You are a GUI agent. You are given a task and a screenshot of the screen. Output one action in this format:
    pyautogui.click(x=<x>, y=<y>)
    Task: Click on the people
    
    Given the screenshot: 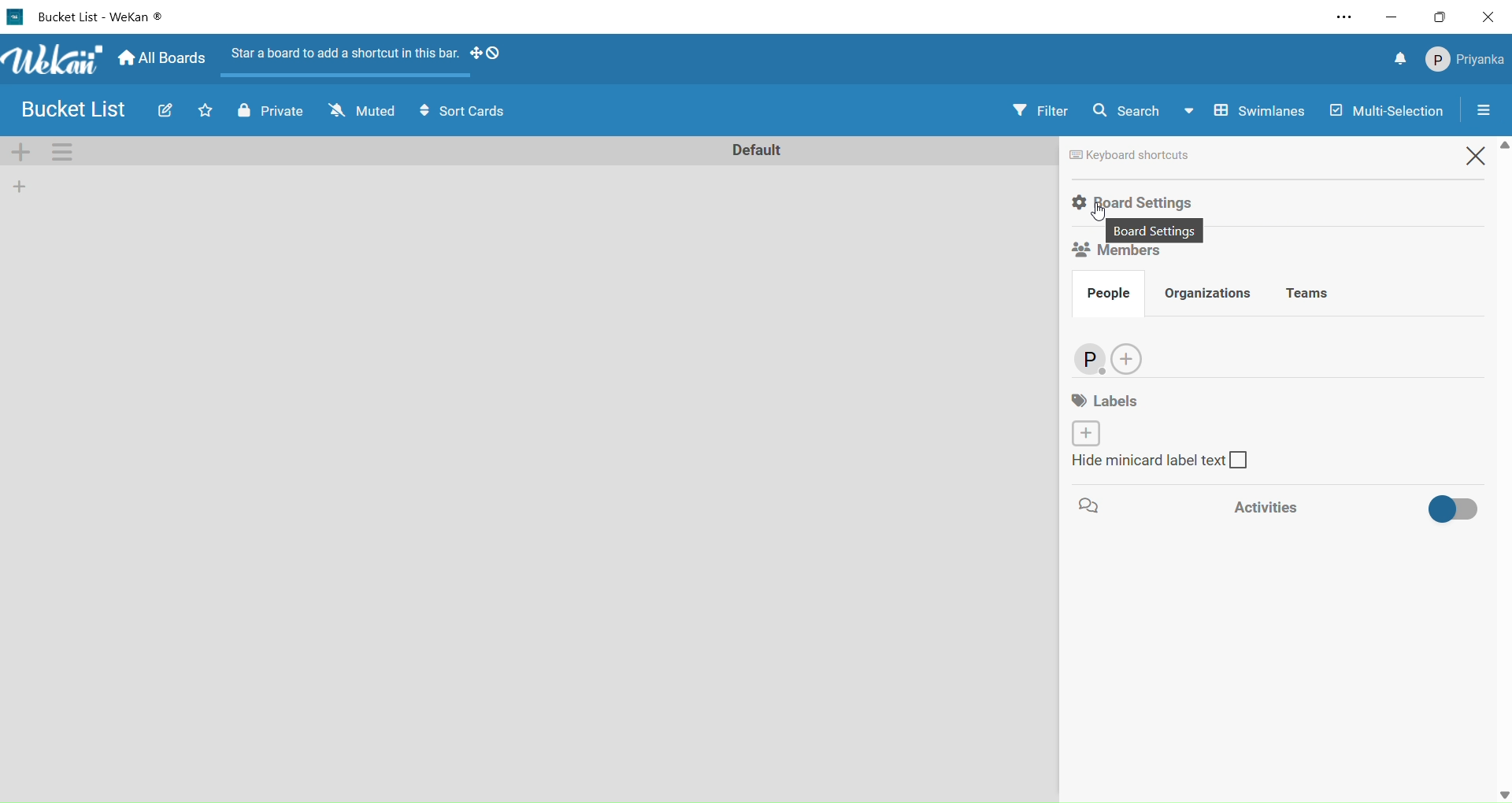 What is the action you would take?
    pyautogui.click(x=1110, y=294)
    